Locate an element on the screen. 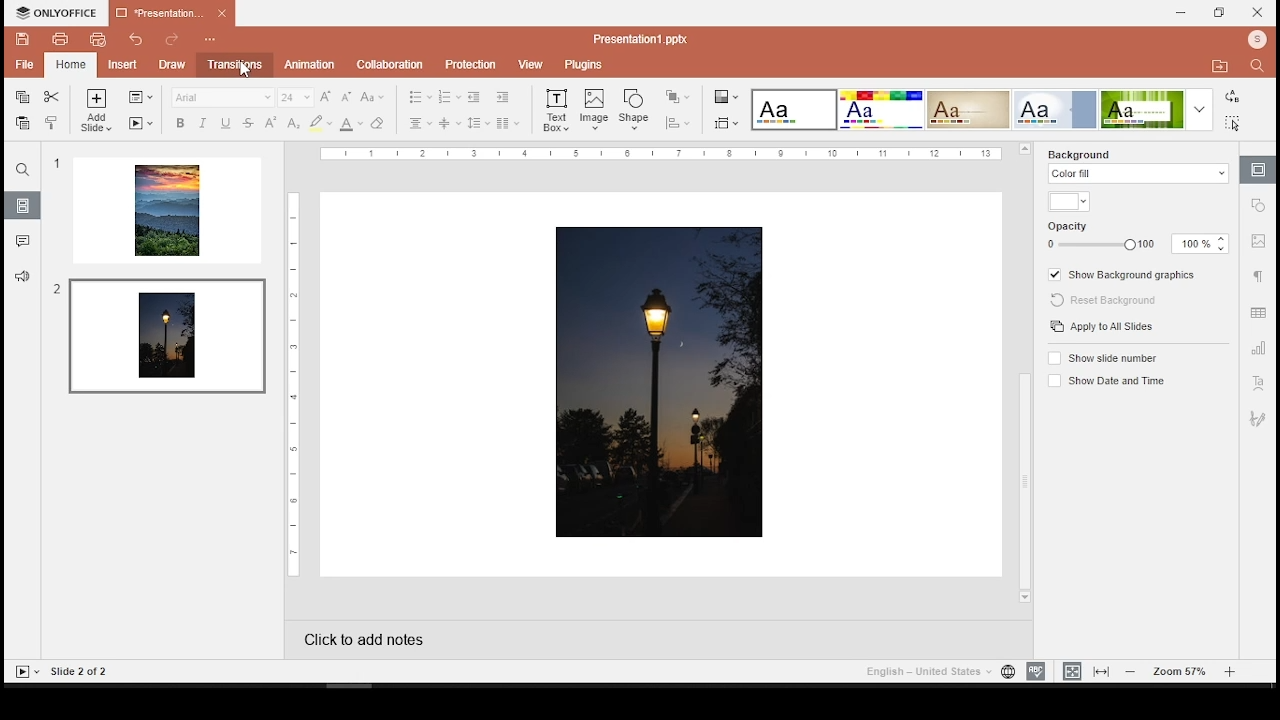 This screenshot has width=1280, height=720. slide style is located at coordinates (968, 110).